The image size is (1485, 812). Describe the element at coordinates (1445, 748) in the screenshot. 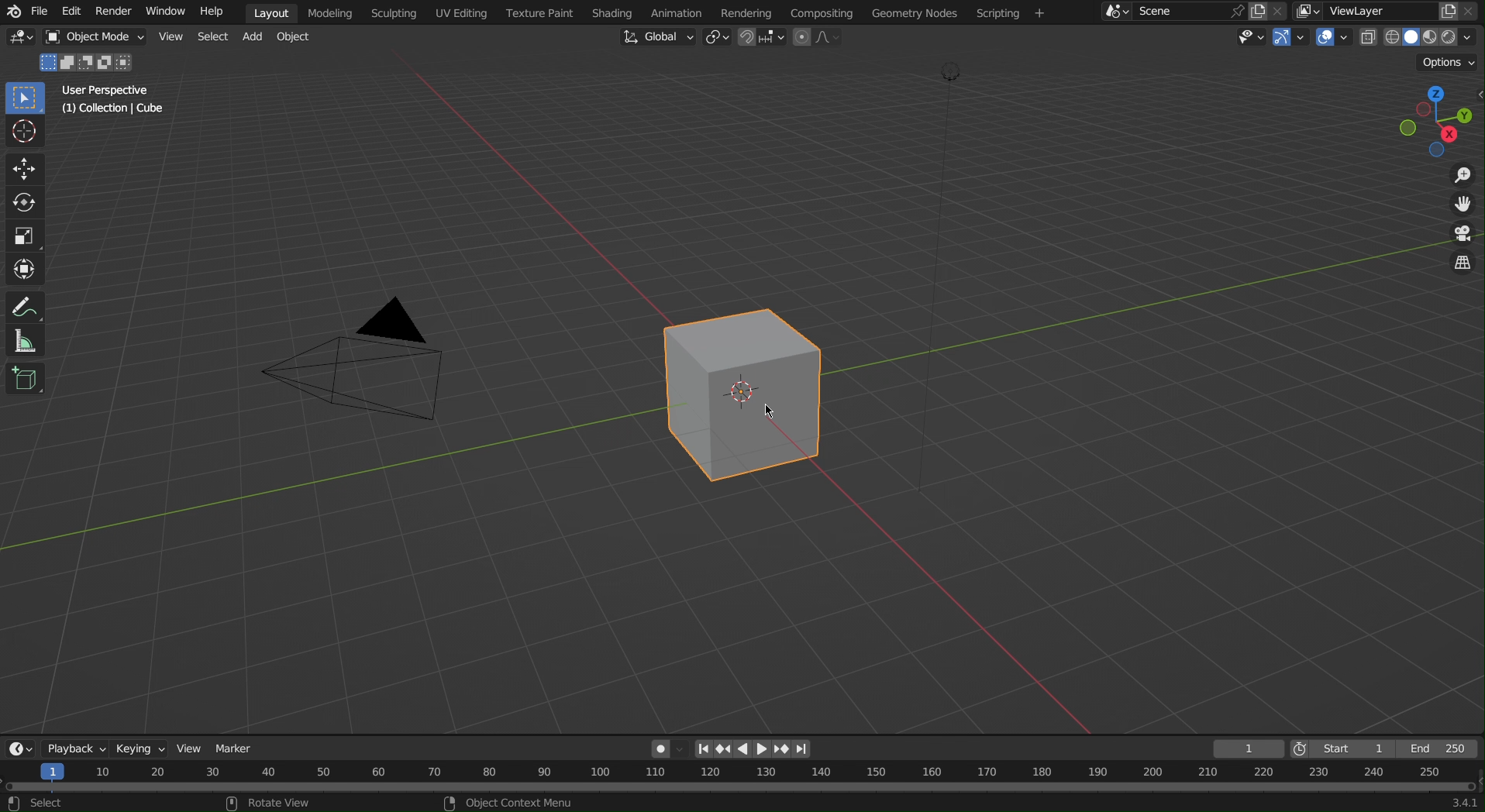

I see `End` at that location.